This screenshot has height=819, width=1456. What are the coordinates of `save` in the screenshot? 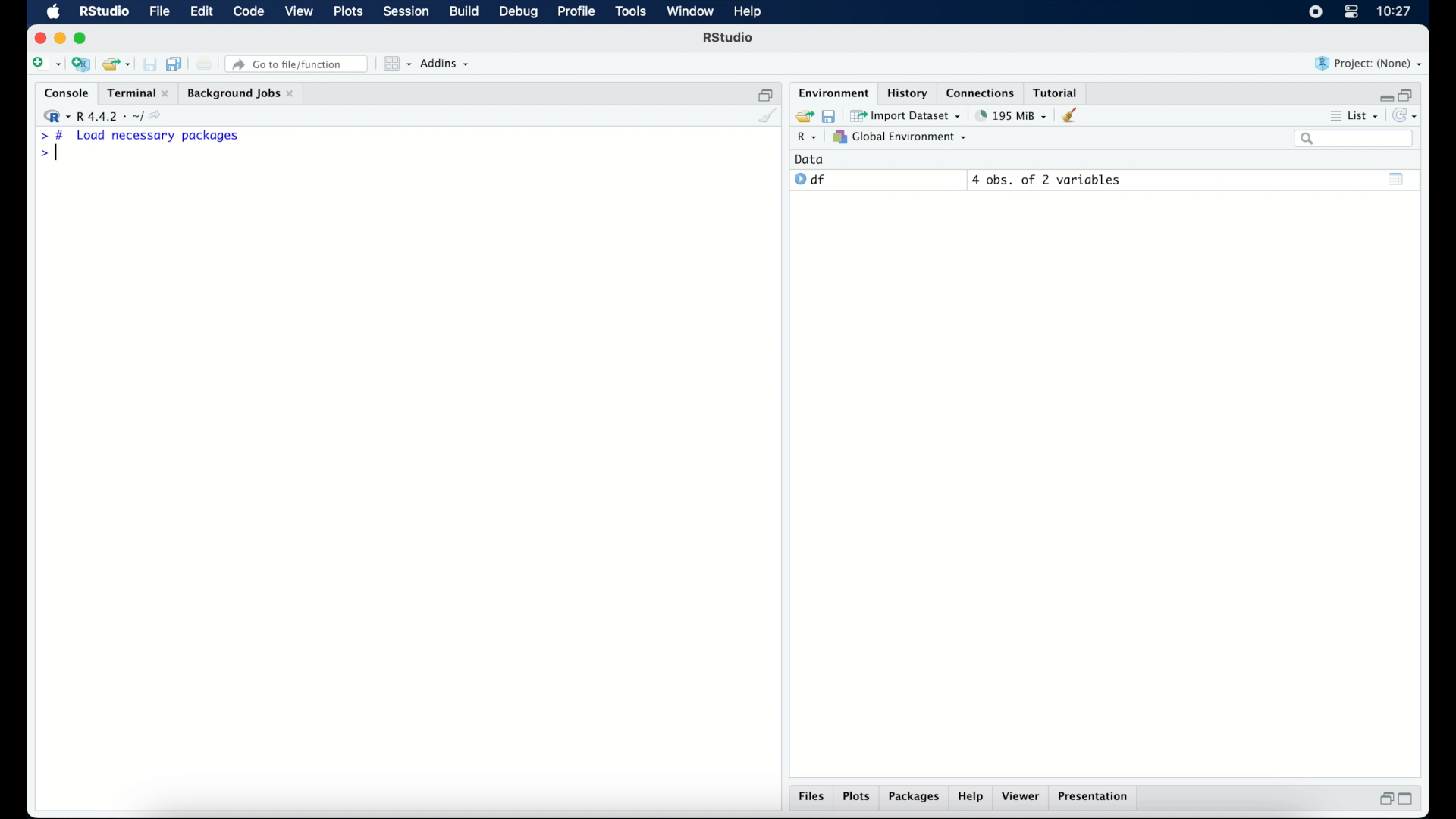 It's located at (828, 115).